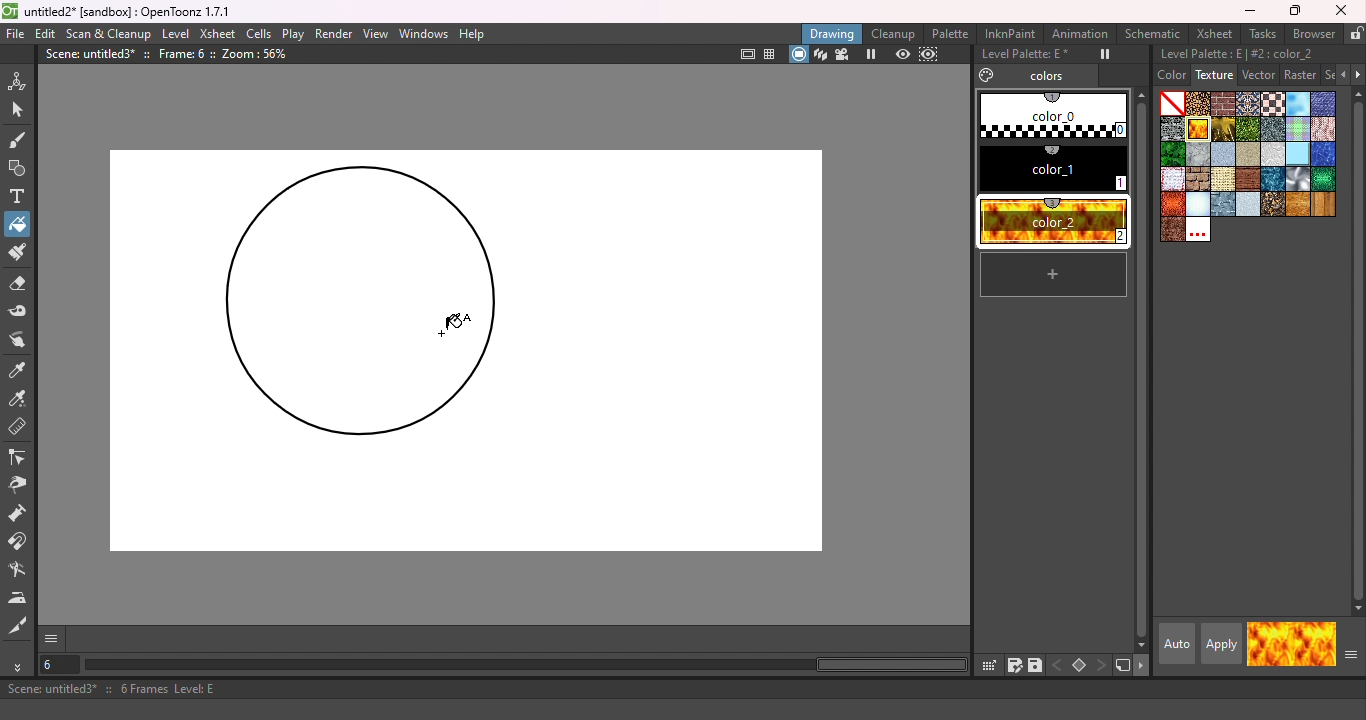  Describe the element at coordinates (1172, 180) in the screenshot. I see `rag_tile_s copy.bmp` at that location.